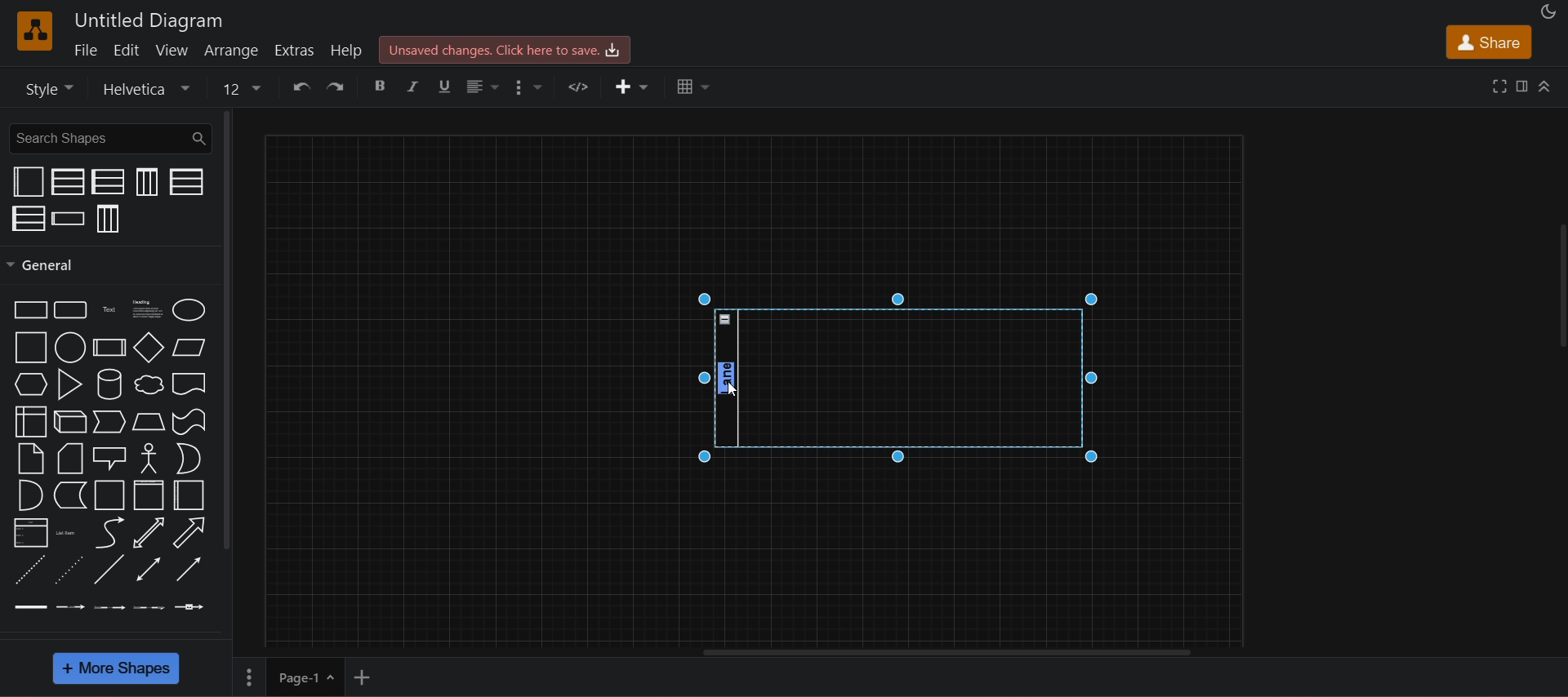  I want to click on bold, so click(381, 87).